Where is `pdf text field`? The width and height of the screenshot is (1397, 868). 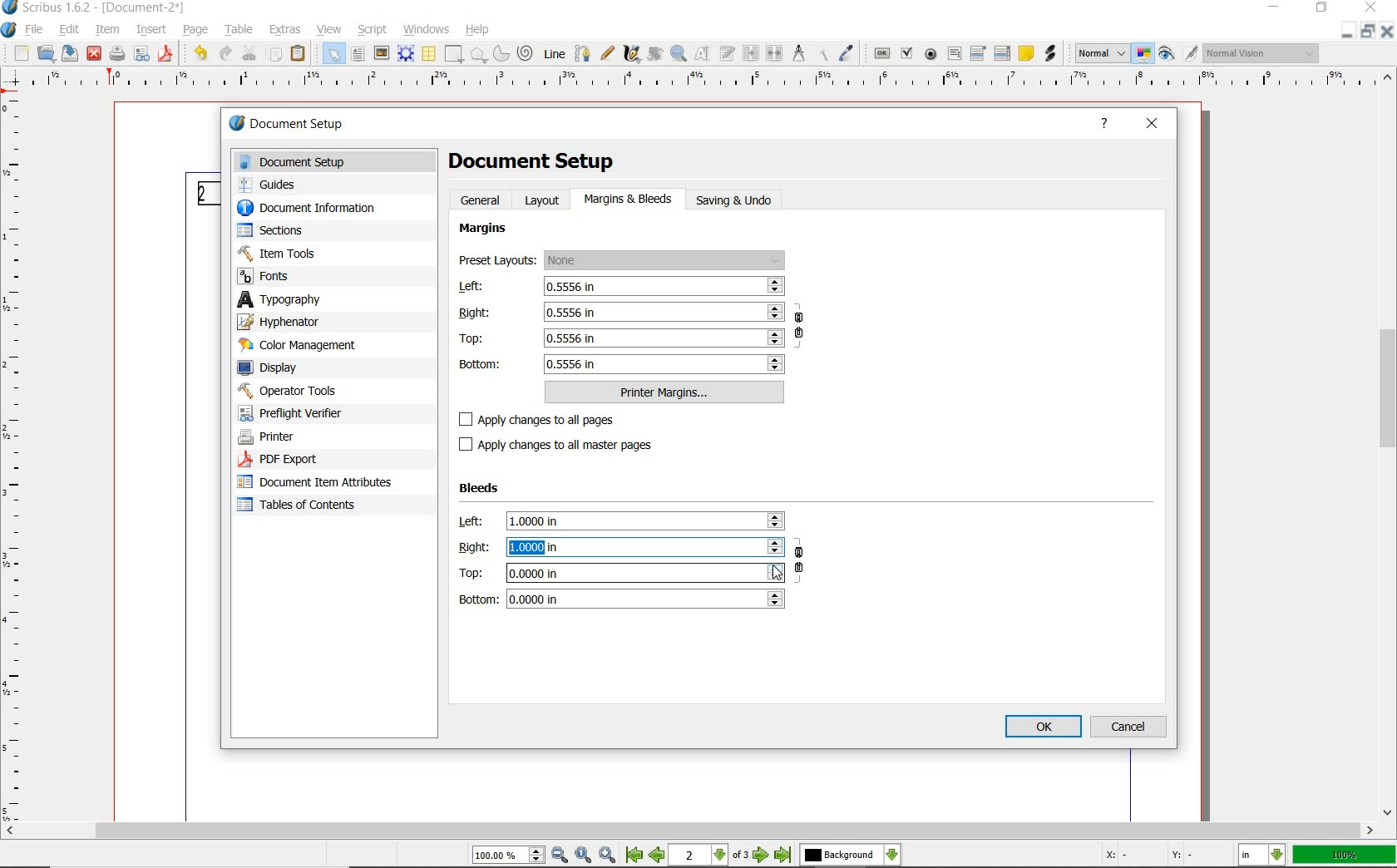
pdf text field is located at coordinates (954, 53).